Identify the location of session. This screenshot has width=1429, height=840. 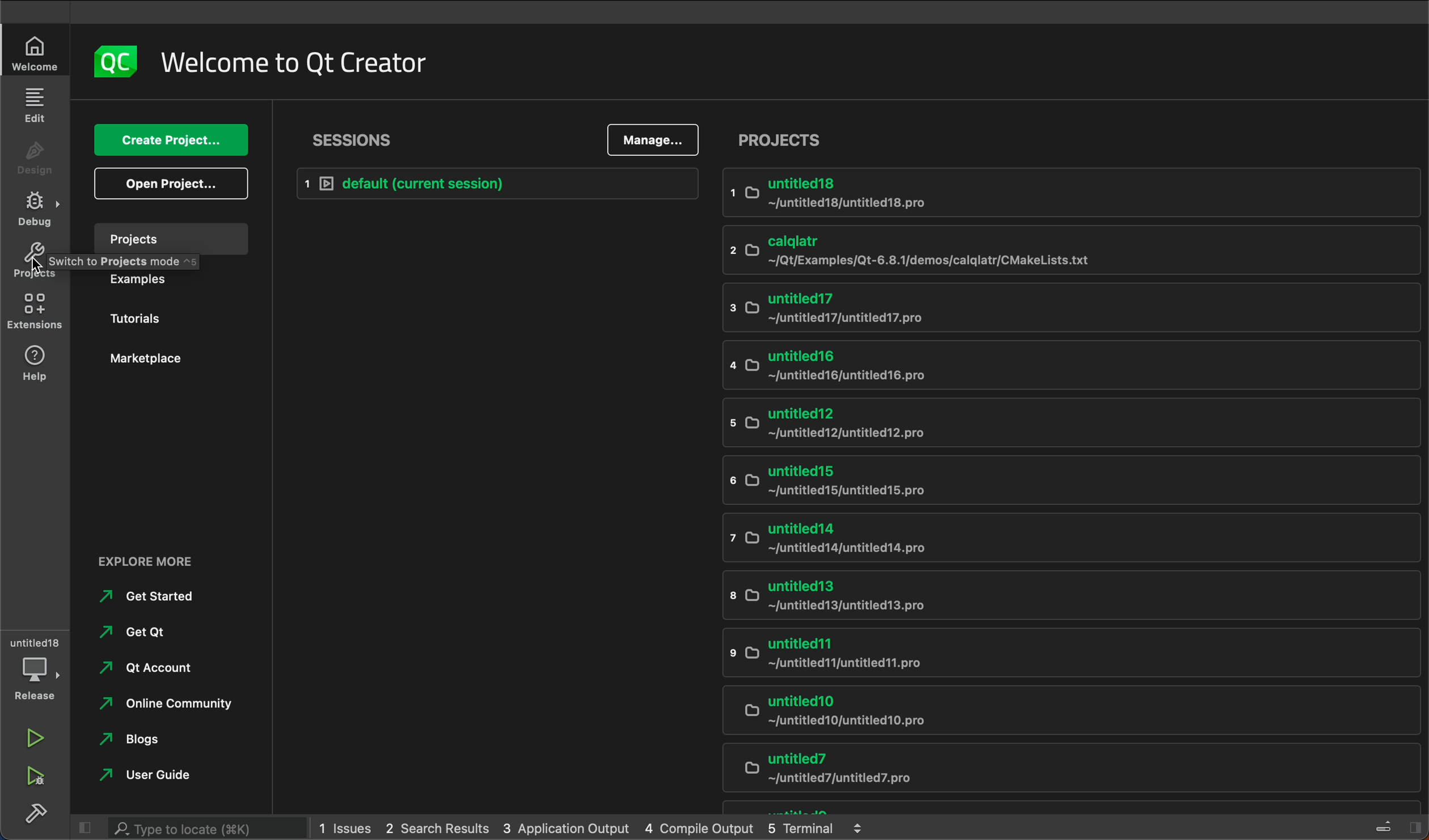
(360, 137).